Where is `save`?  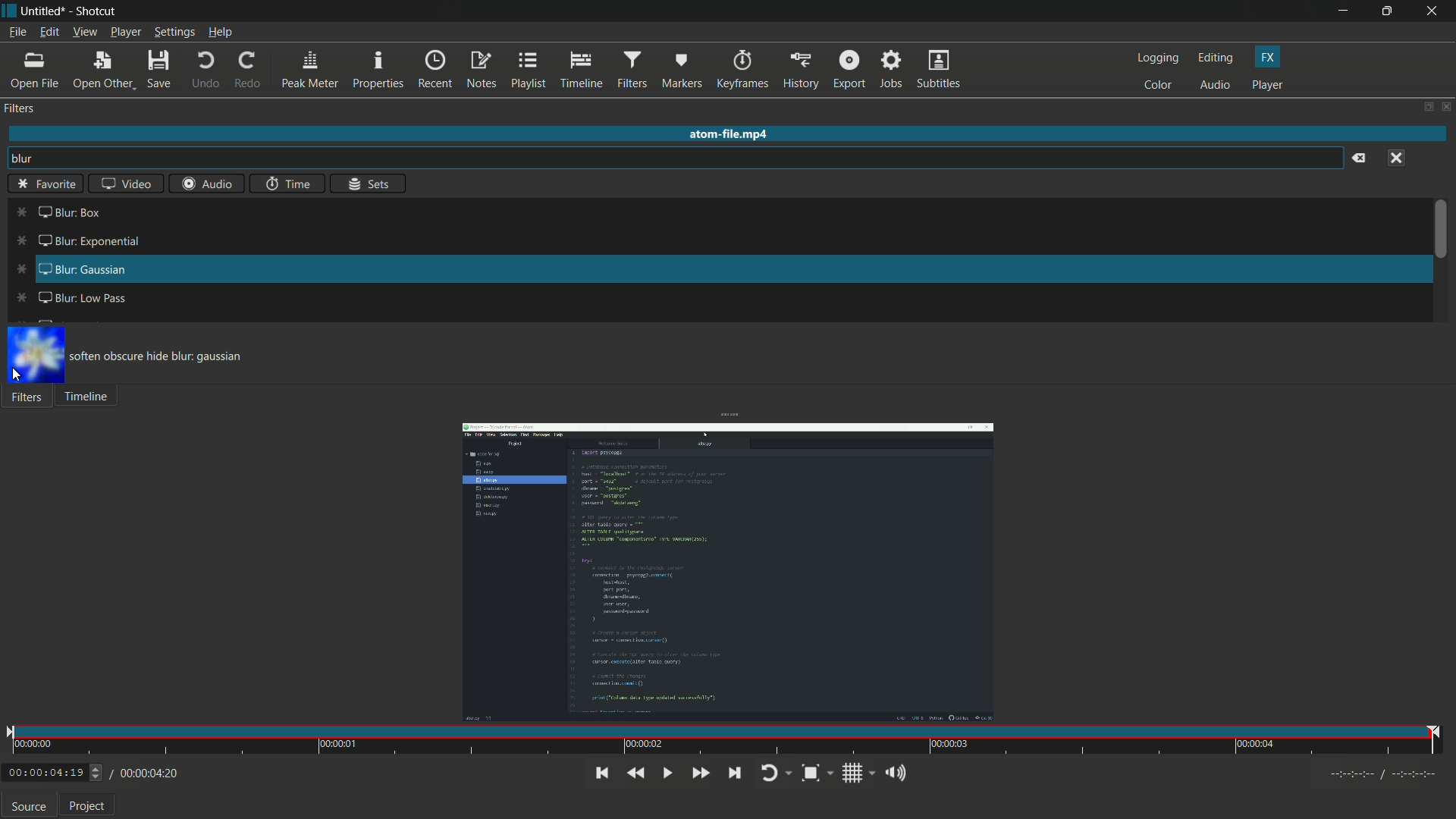
save is located at coordinates (162, 71).